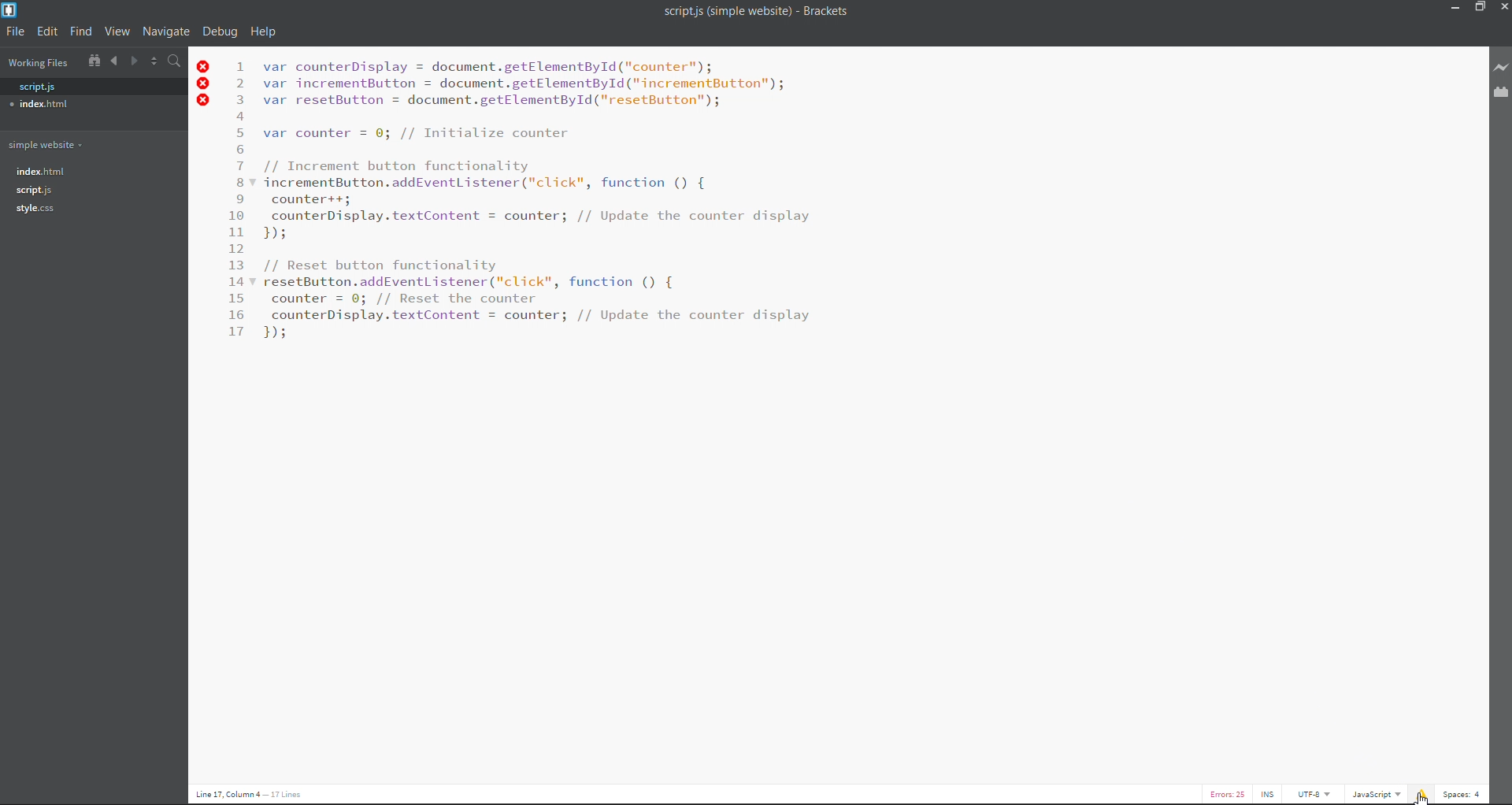 The height and width of the screenshot is (805, 1512). Describe the element at coordinates (135, 63) in the screenshot. I see `navigate forward` at that location.